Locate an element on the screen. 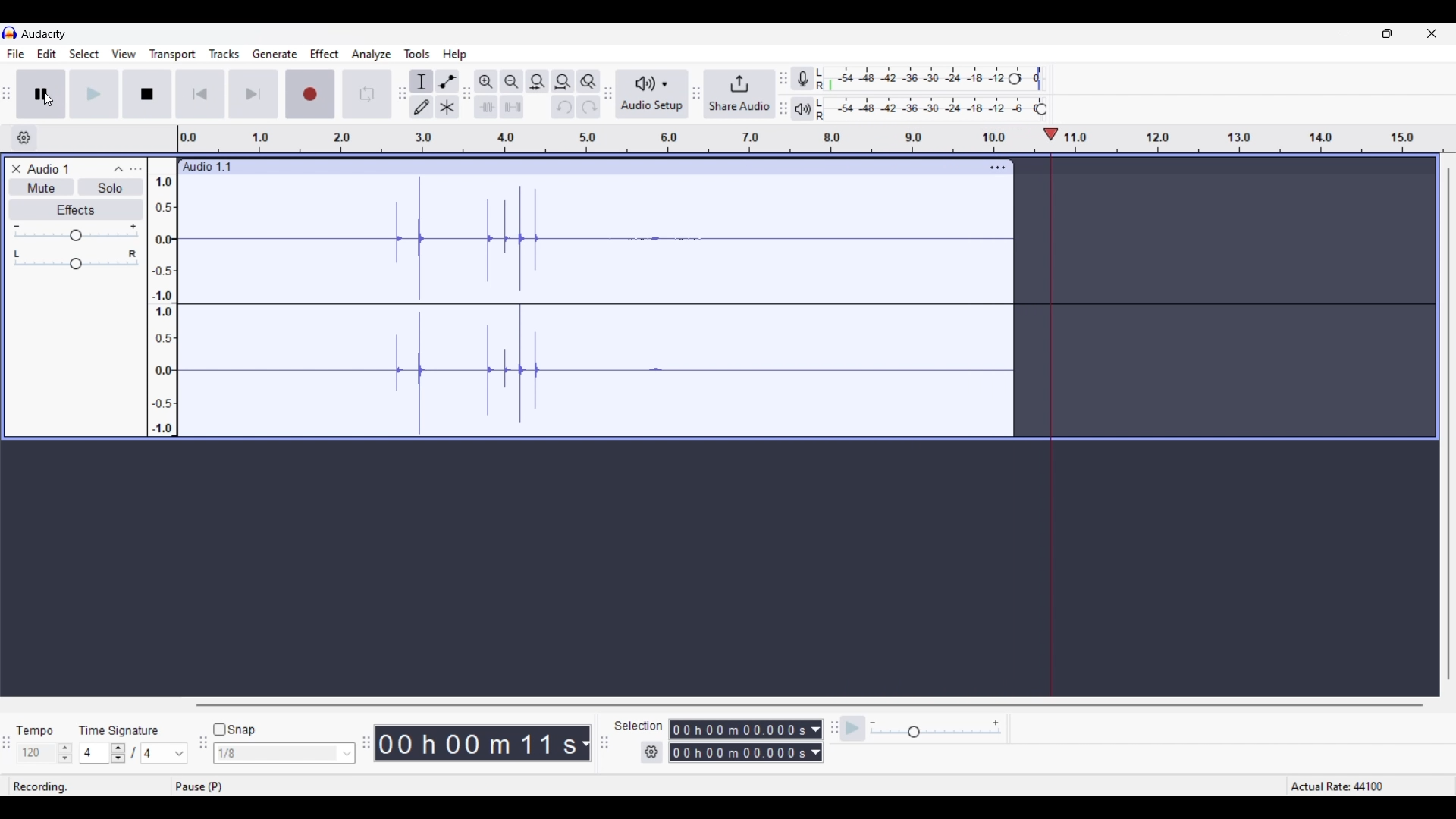 This screenshot has height=819, width=1456. Time Signature is located at coordinates (125, 728).